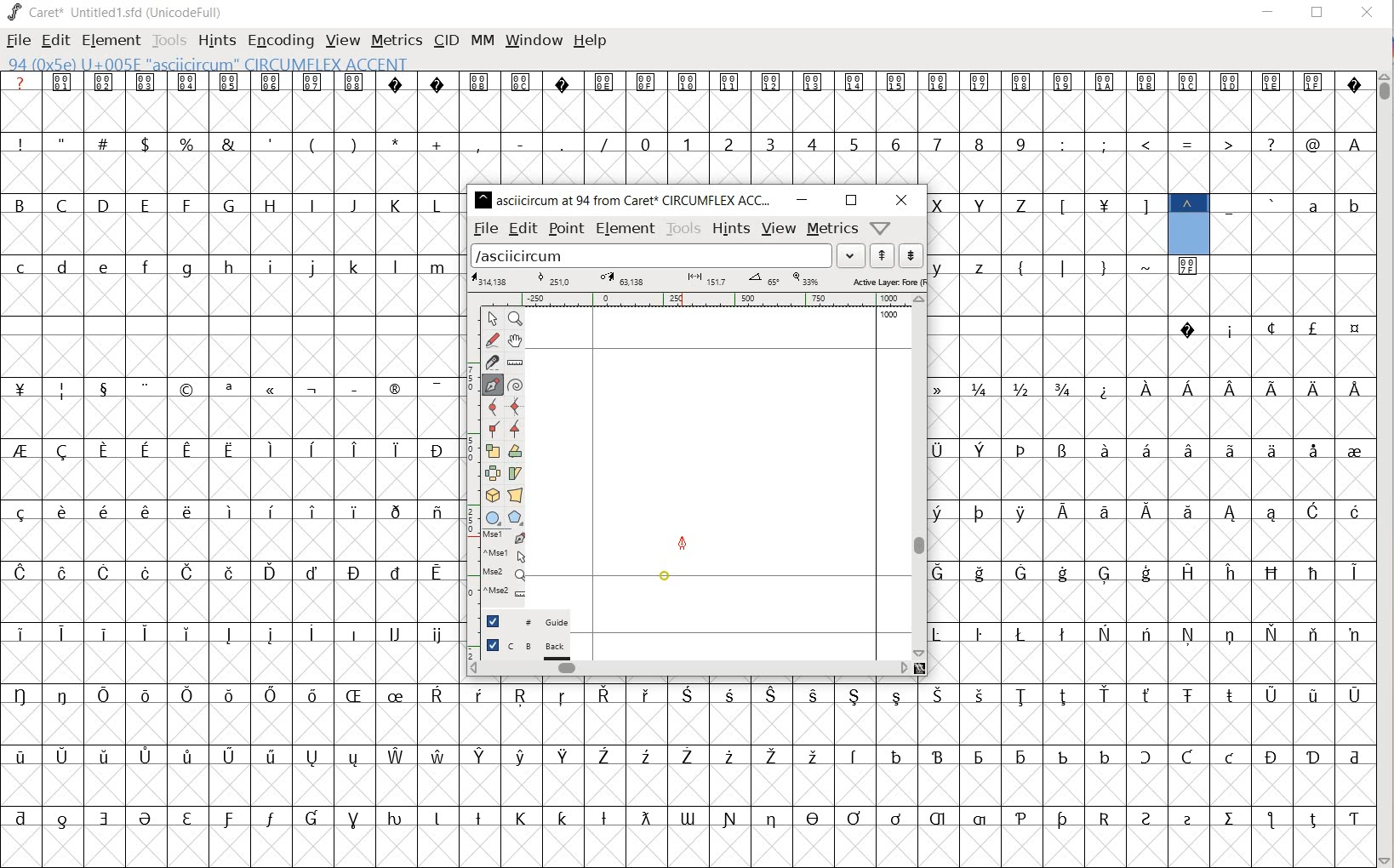 This screenshot has width=1394, height=868. Describe the element at coordinates (626, 197) in the screenshot. I see `asciicircum at 94 from caret circumflex ACCE...` at that location.